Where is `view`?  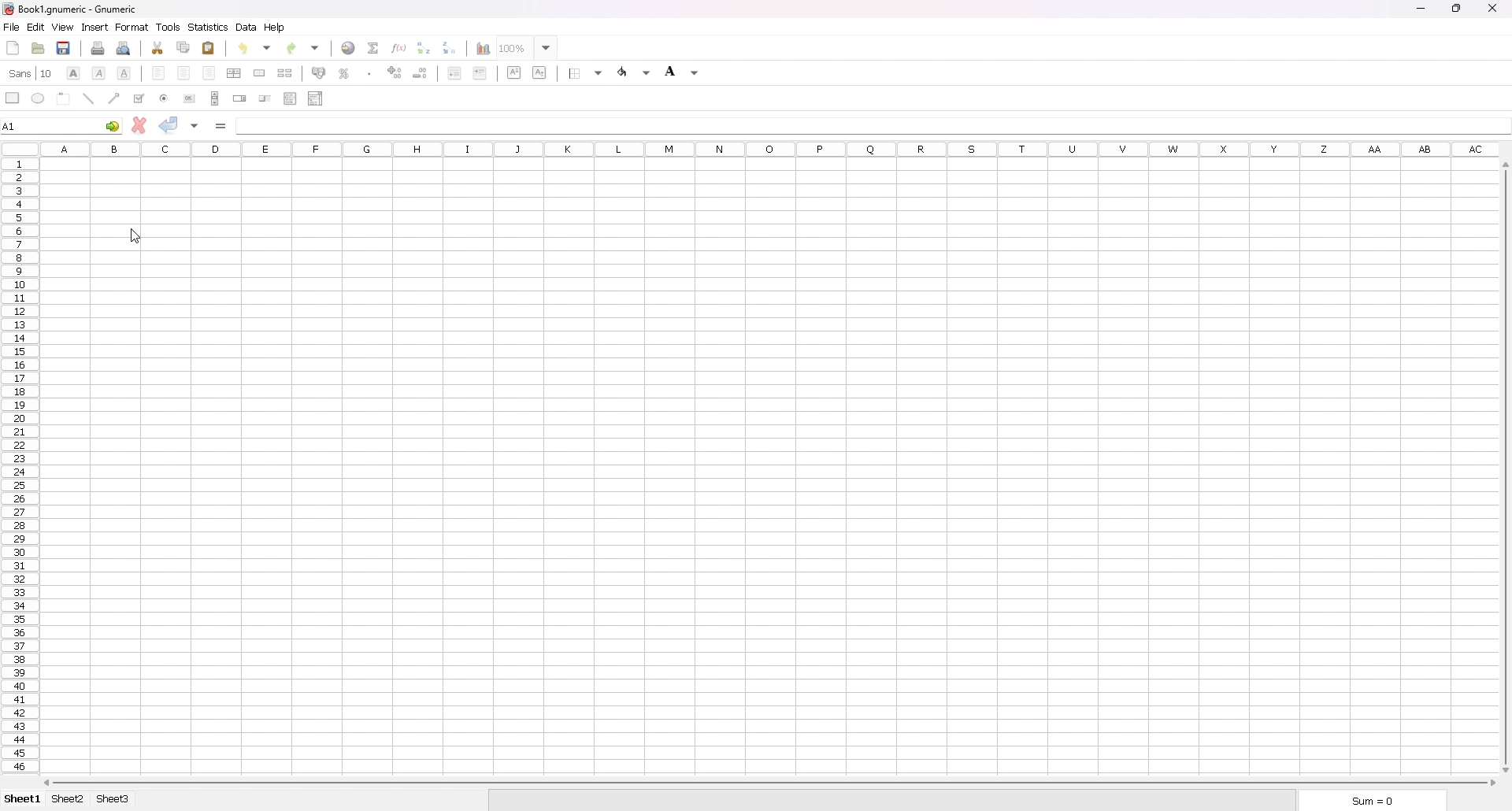
view is located at coordinates (62, 27).